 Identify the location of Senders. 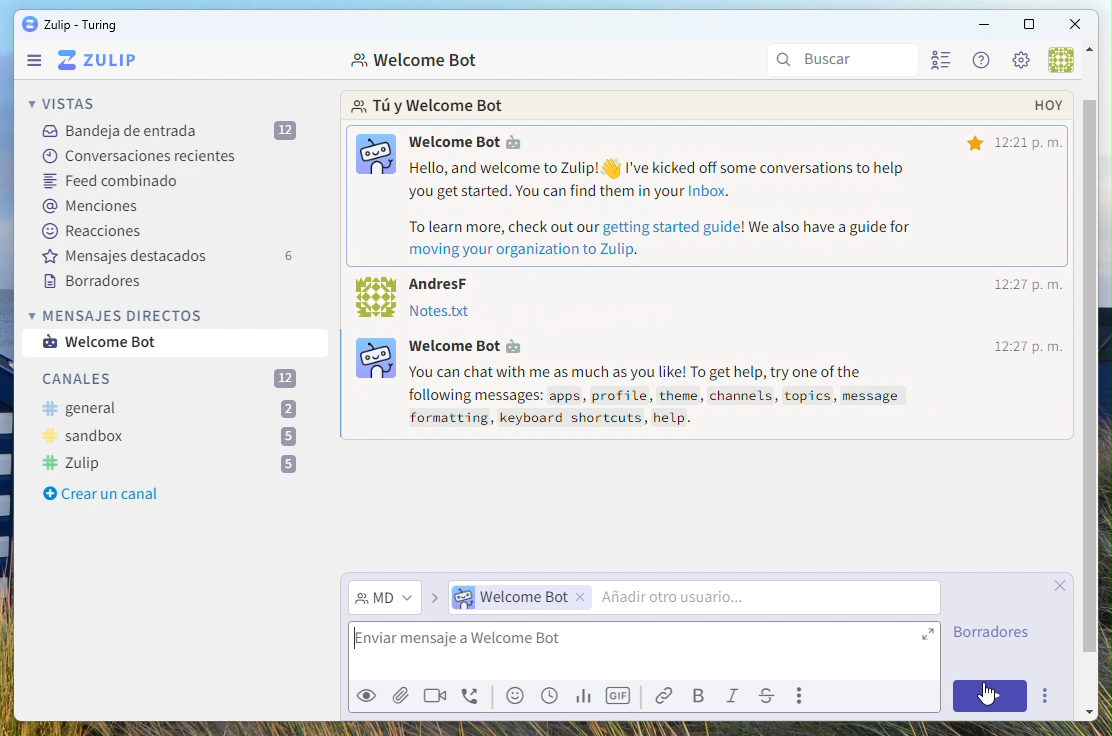
(689, 599).